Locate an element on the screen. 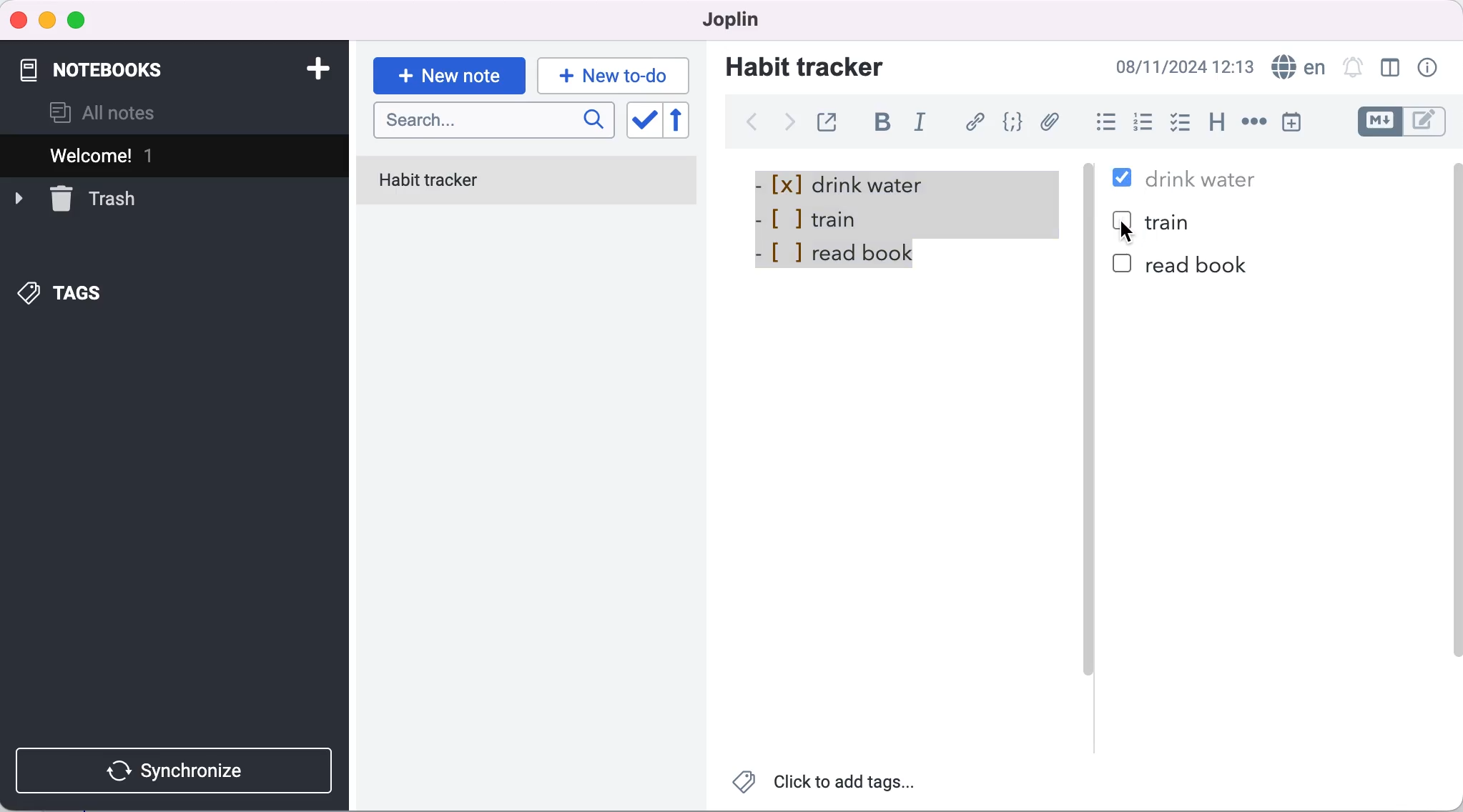 This screenshot has width=1463, height=812. code is located at coordinates (1015, 122).